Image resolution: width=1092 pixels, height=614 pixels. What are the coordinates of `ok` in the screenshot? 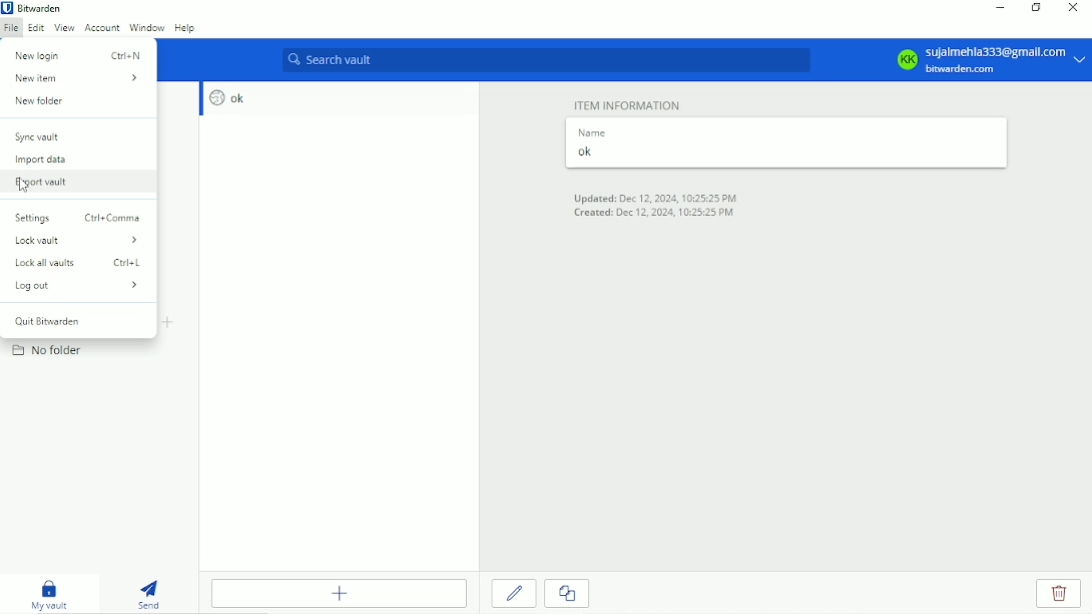 It's located at (224, 98).